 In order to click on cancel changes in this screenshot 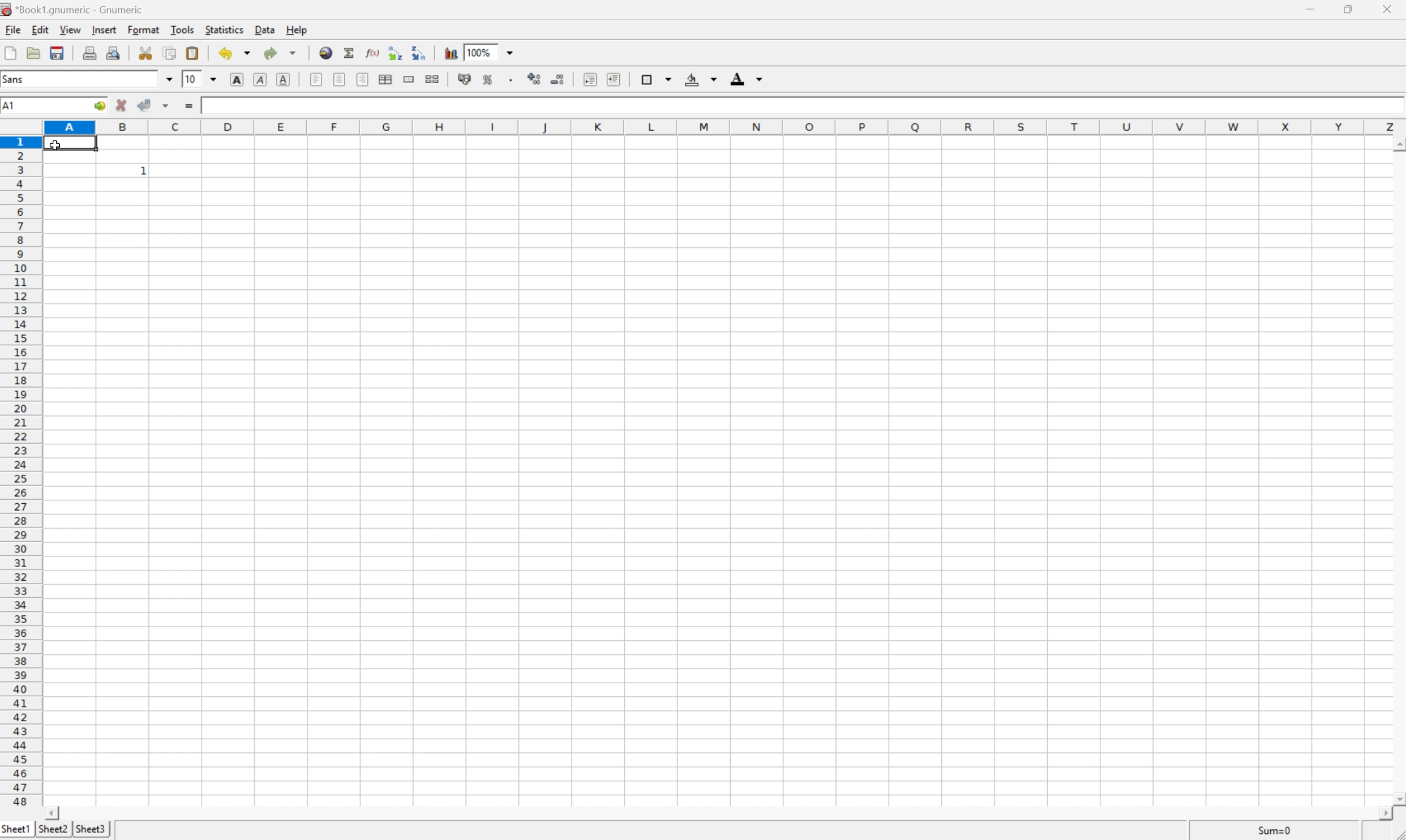, I will do `click(123, 104)`.